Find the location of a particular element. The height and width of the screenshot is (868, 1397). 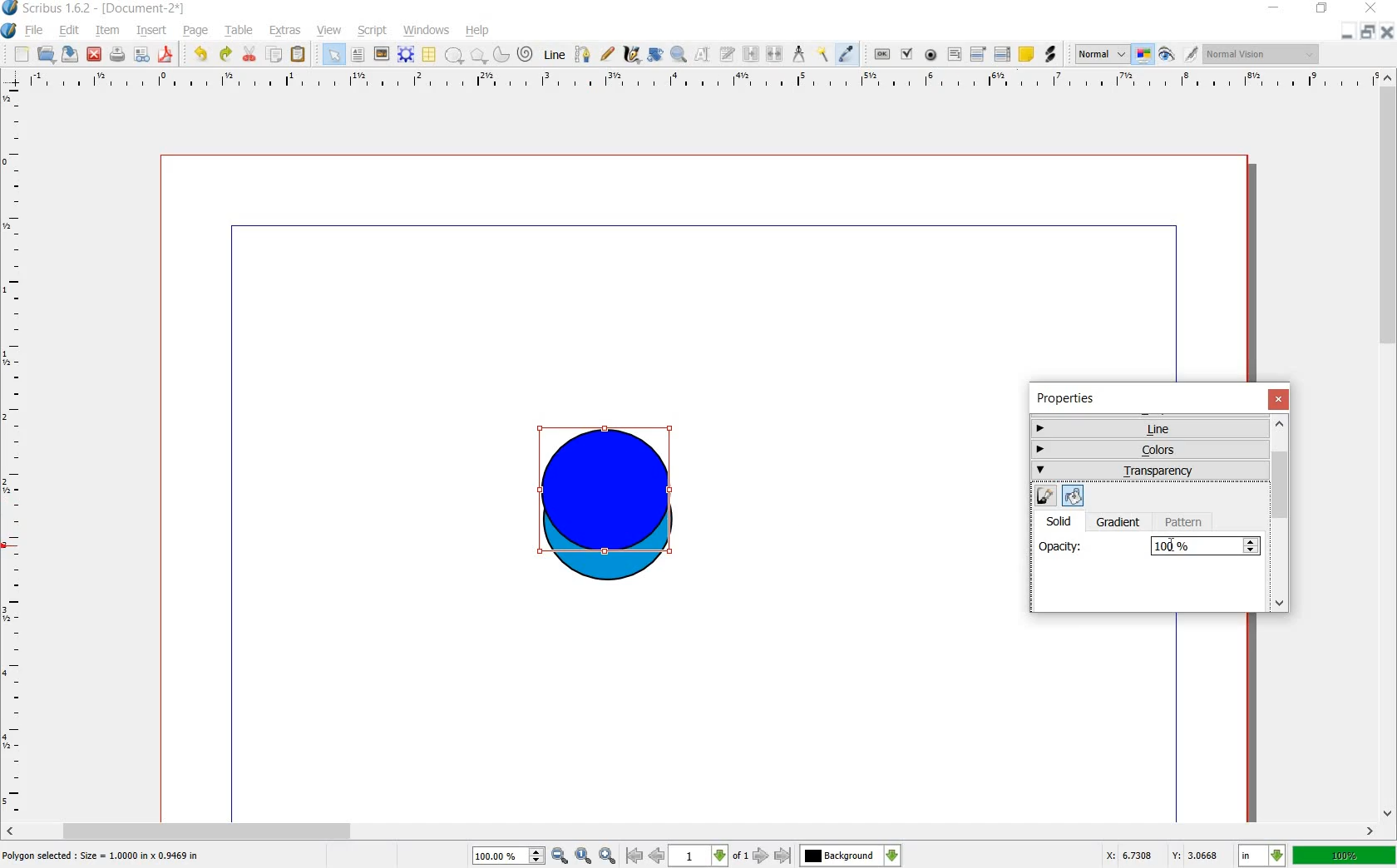

normal  is located at coordinates (1099, 54).